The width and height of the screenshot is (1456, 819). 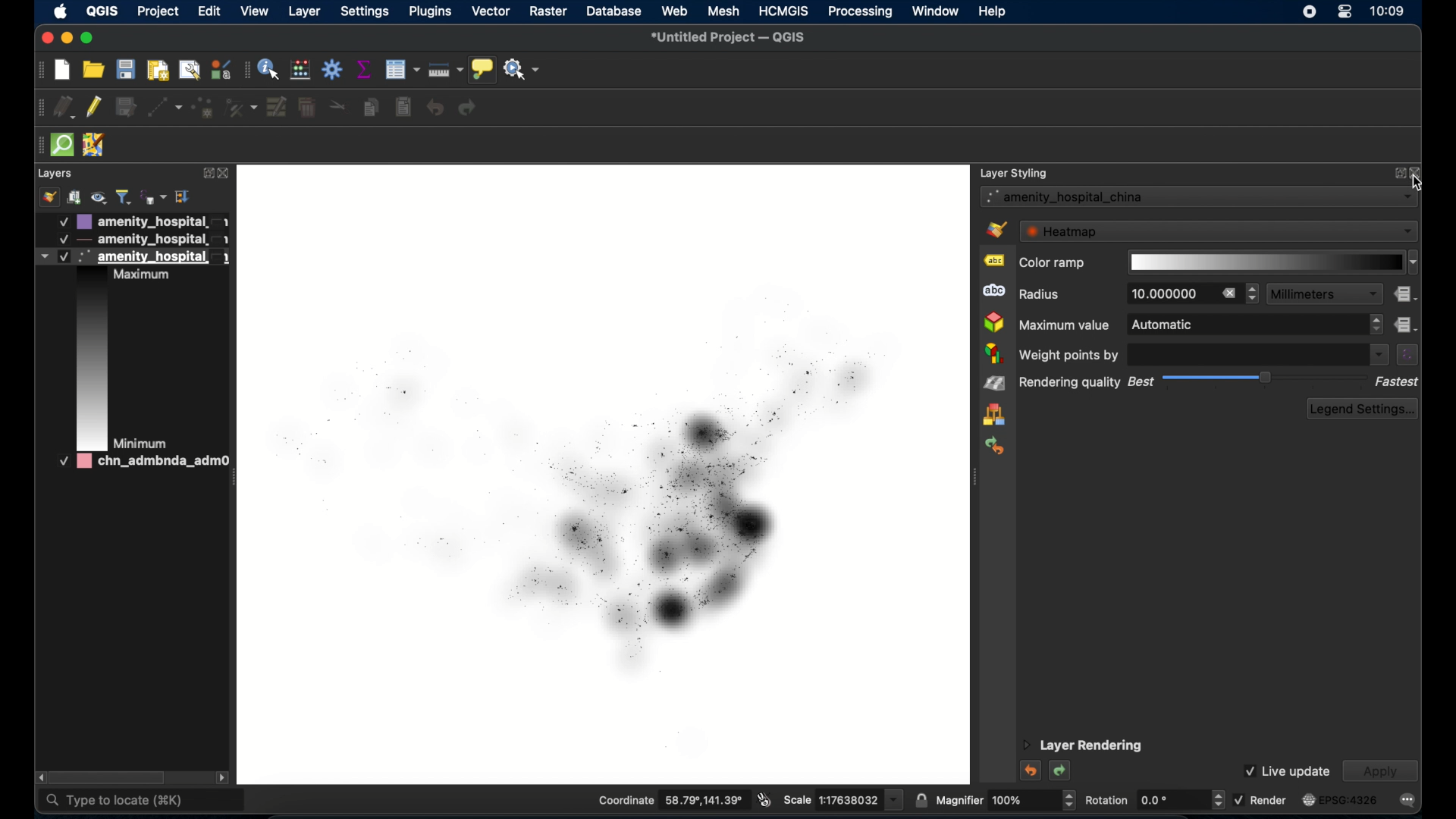 I want to click on toggle mouse extents and display position, so click(x=764, y=799).